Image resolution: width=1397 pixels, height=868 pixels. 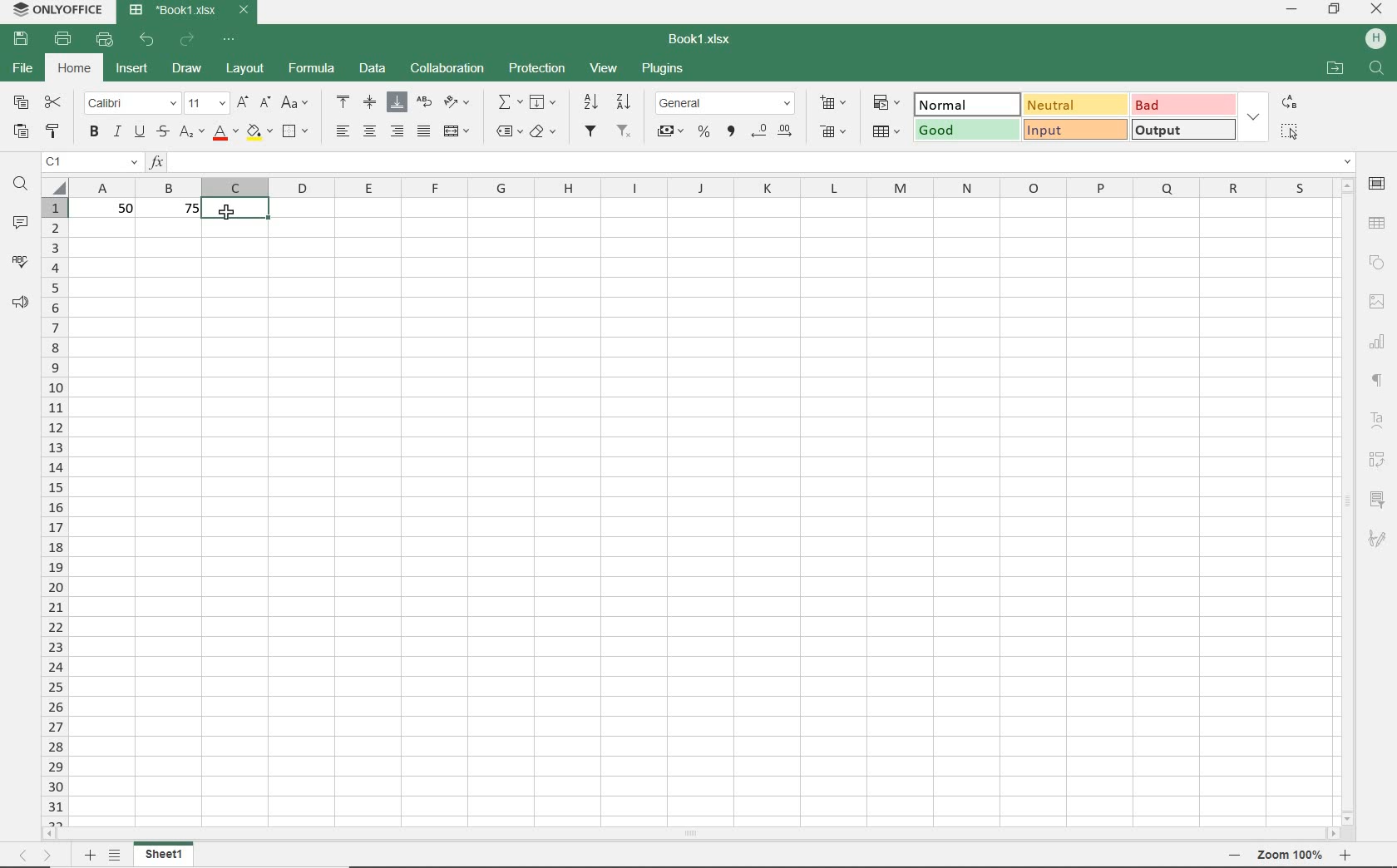 What do you see at coordinates (54, 103) in the screenshot?
I see `cut` at bounding box center [54, 103].